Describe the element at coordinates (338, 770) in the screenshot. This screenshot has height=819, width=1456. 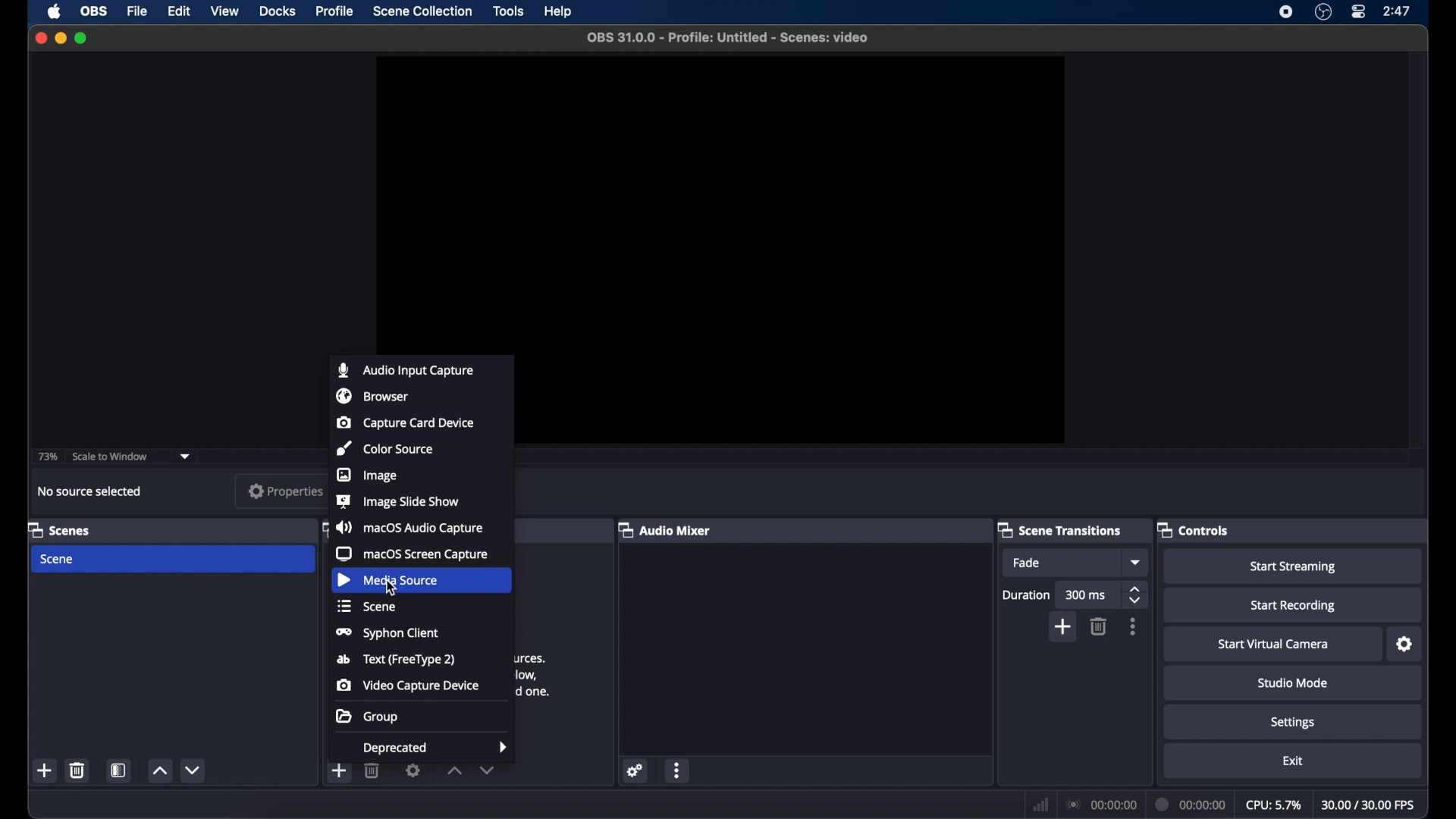
I see `add` at that location.